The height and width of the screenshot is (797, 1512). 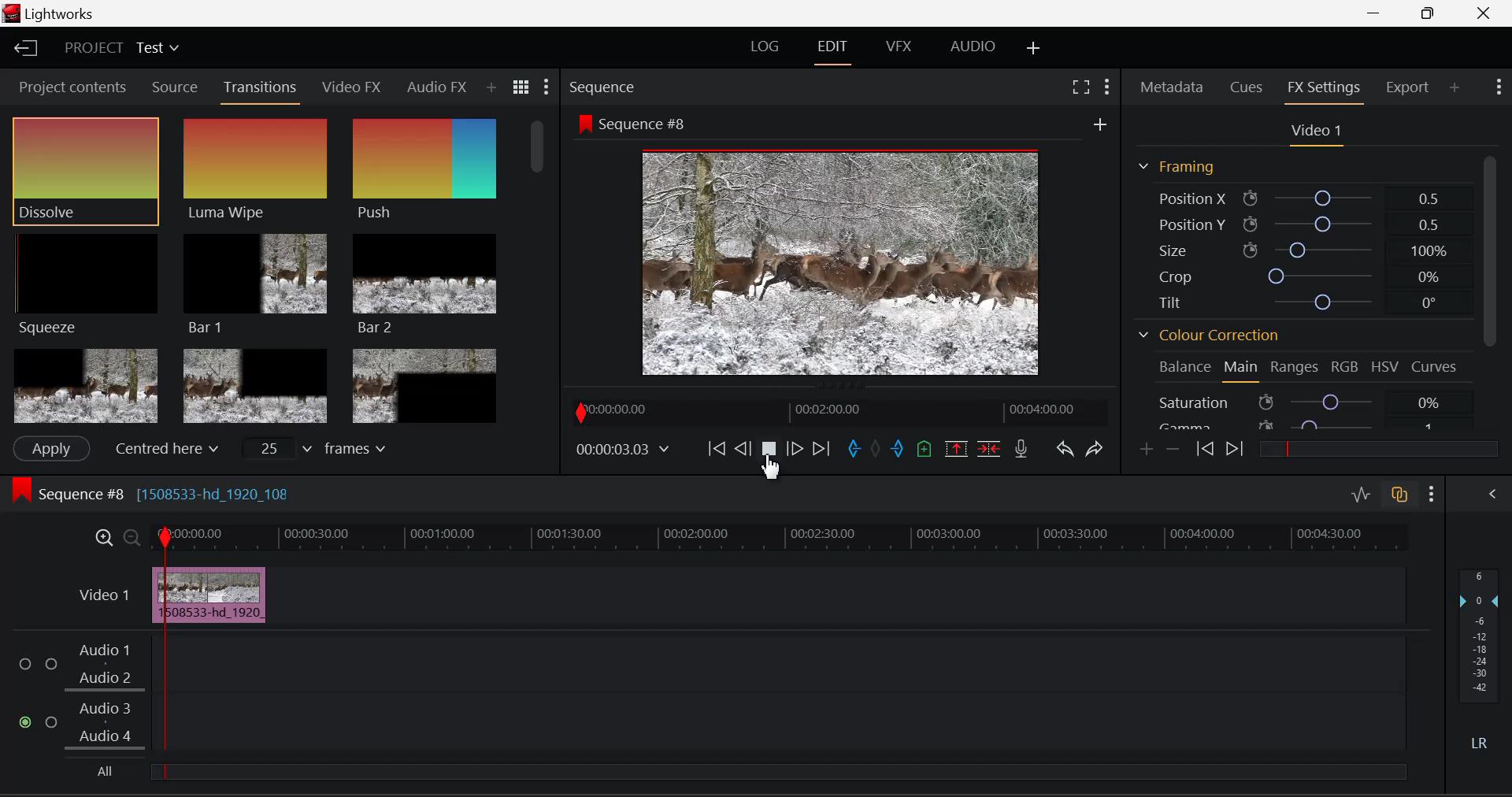 What do you see at coordinates (106, 679) in the screenshot?
I see `Audio 2` at bounding box center [106, 679].